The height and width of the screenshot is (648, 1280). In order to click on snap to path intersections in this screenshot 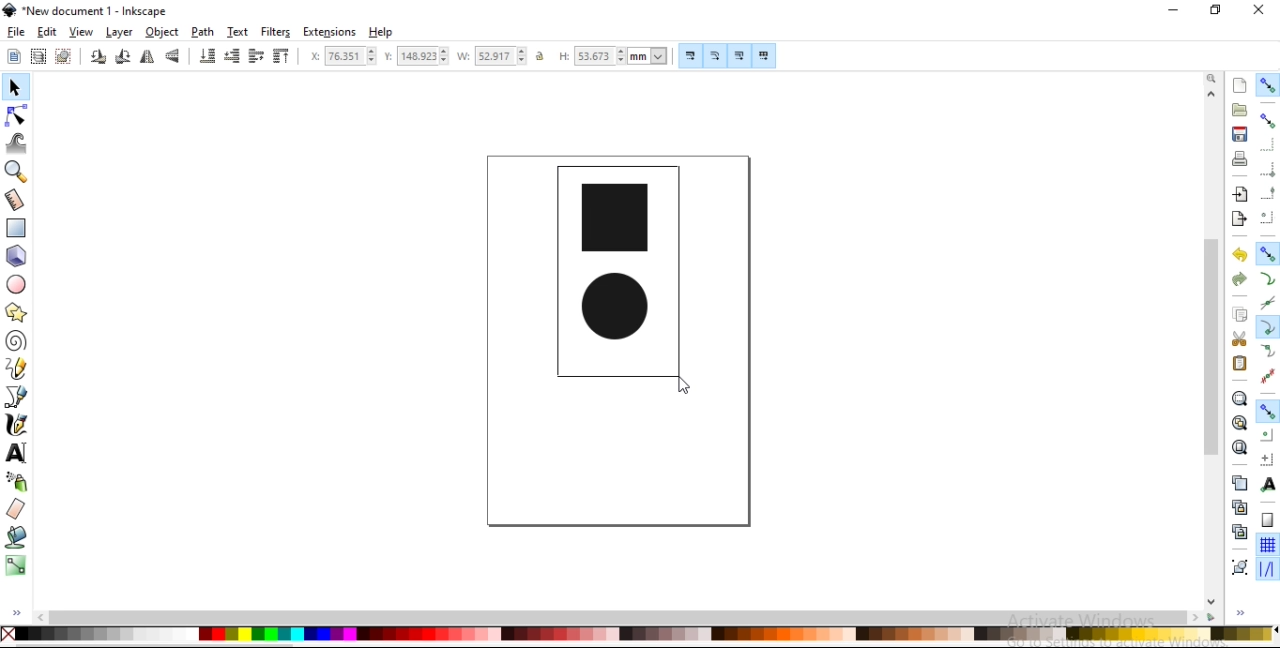, I will do `click(1266, 301)`.